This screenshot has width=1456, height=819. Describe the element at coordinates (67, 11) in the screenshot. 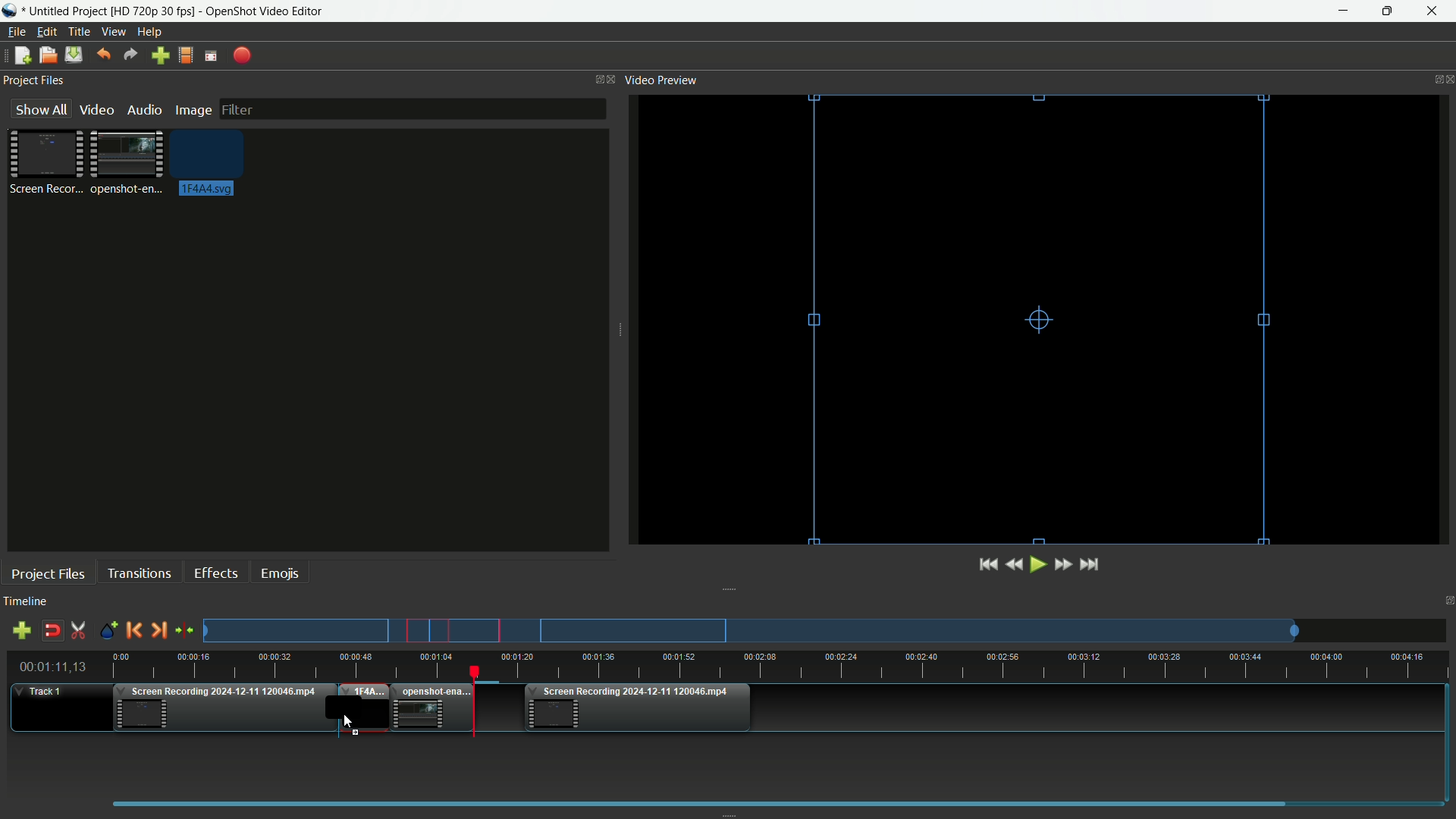

I see `Project name` at that location.